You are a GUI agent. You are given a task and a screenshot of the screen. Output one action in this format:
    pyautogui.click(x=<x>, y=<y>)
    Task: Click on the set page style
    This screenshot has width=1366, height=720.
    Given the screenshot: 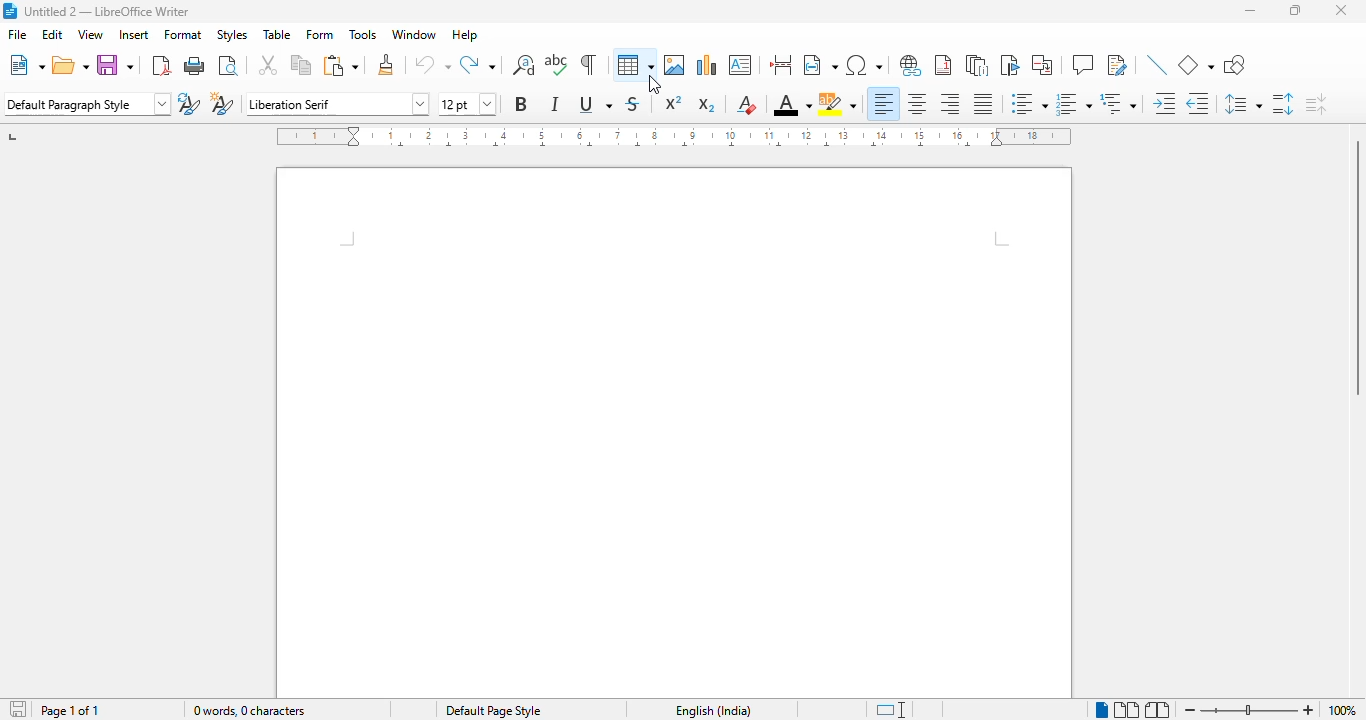 What is the action you would take?
    pyautogui.click(x=86, y=103)
    